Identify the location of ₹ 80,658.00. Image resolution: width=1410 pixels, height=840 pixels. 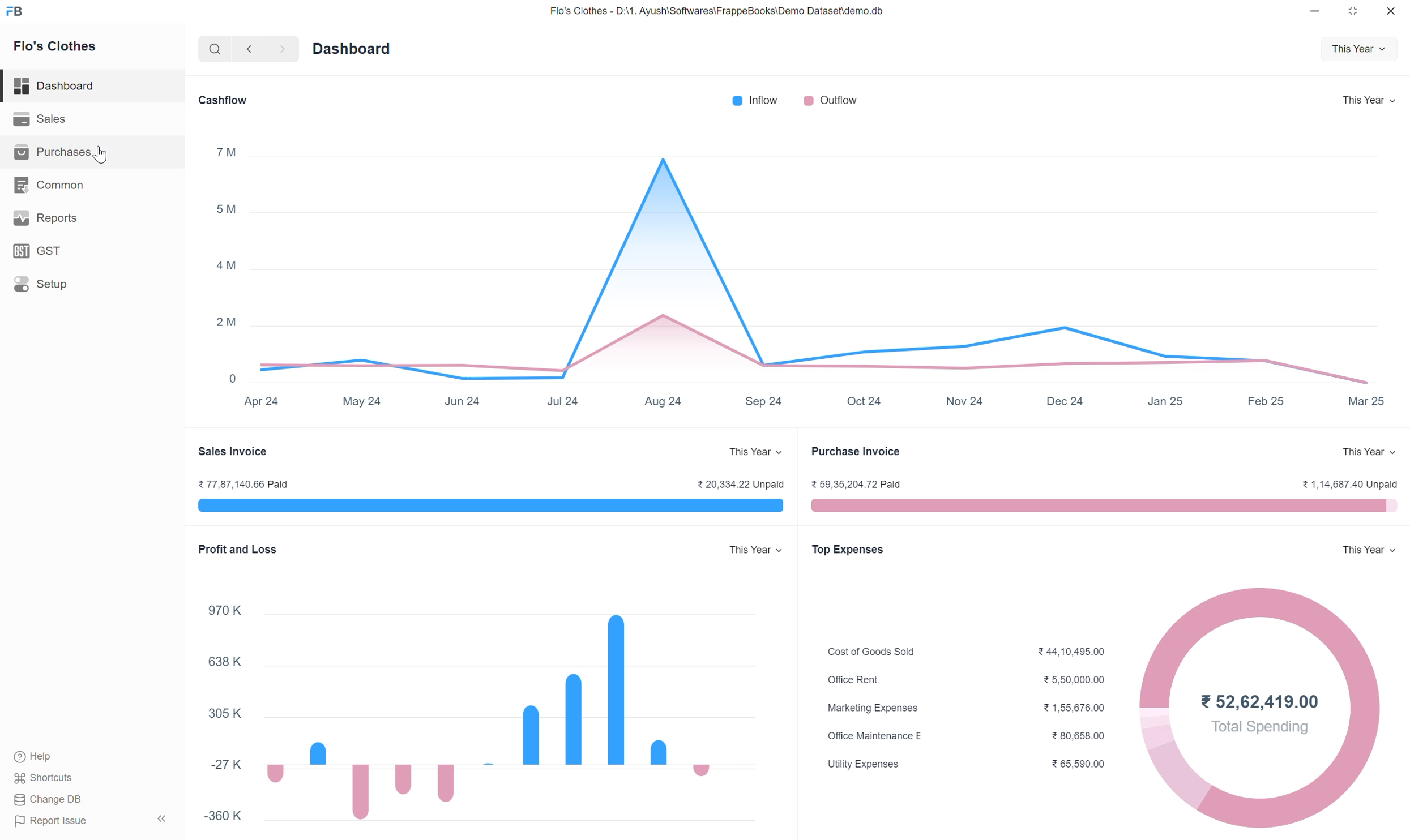
(1080, 738).